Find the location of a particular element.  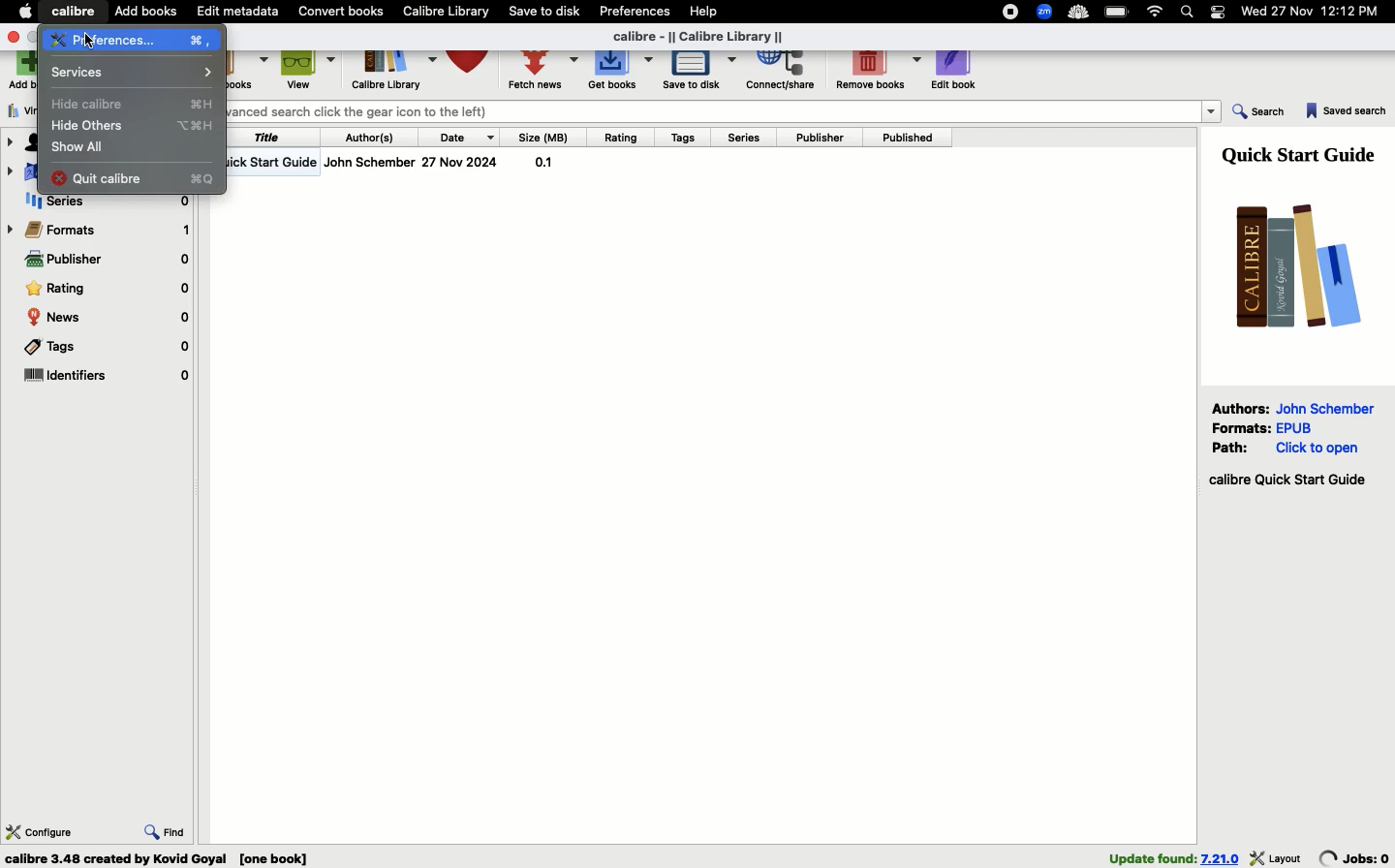

Tags is located at coordinates (690, 138).